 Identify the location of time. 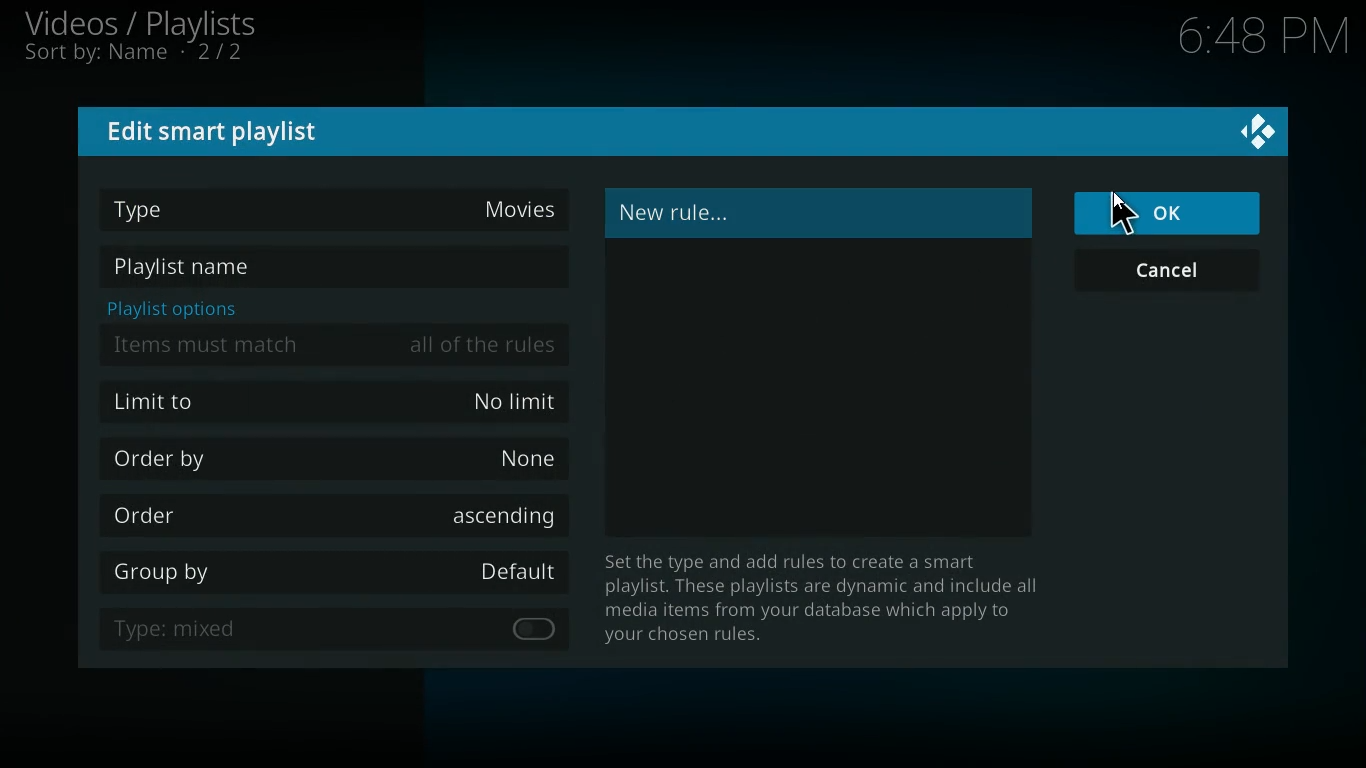
(1257, 37).